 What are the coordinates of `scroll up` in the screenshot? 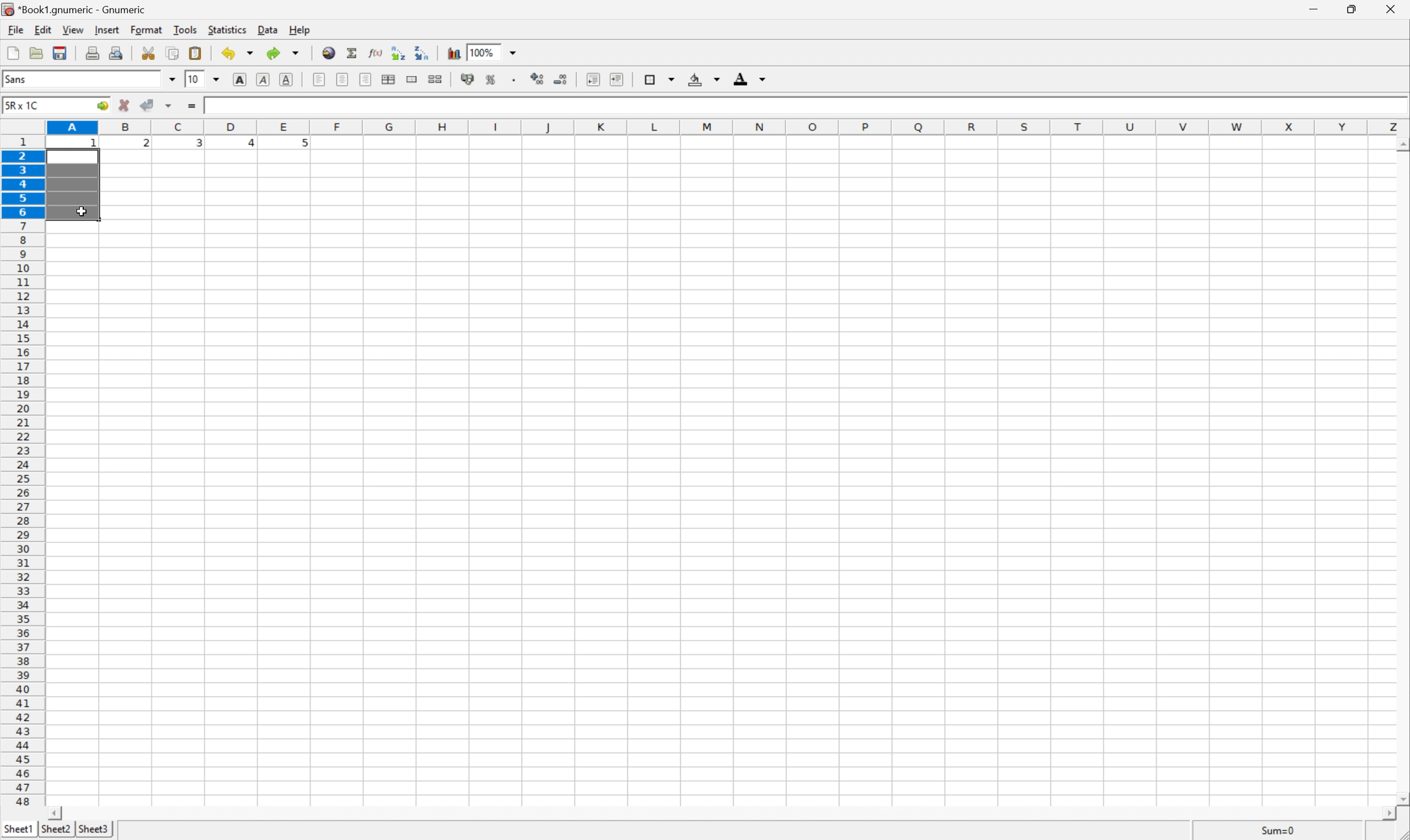 It's located at (1401, 146).